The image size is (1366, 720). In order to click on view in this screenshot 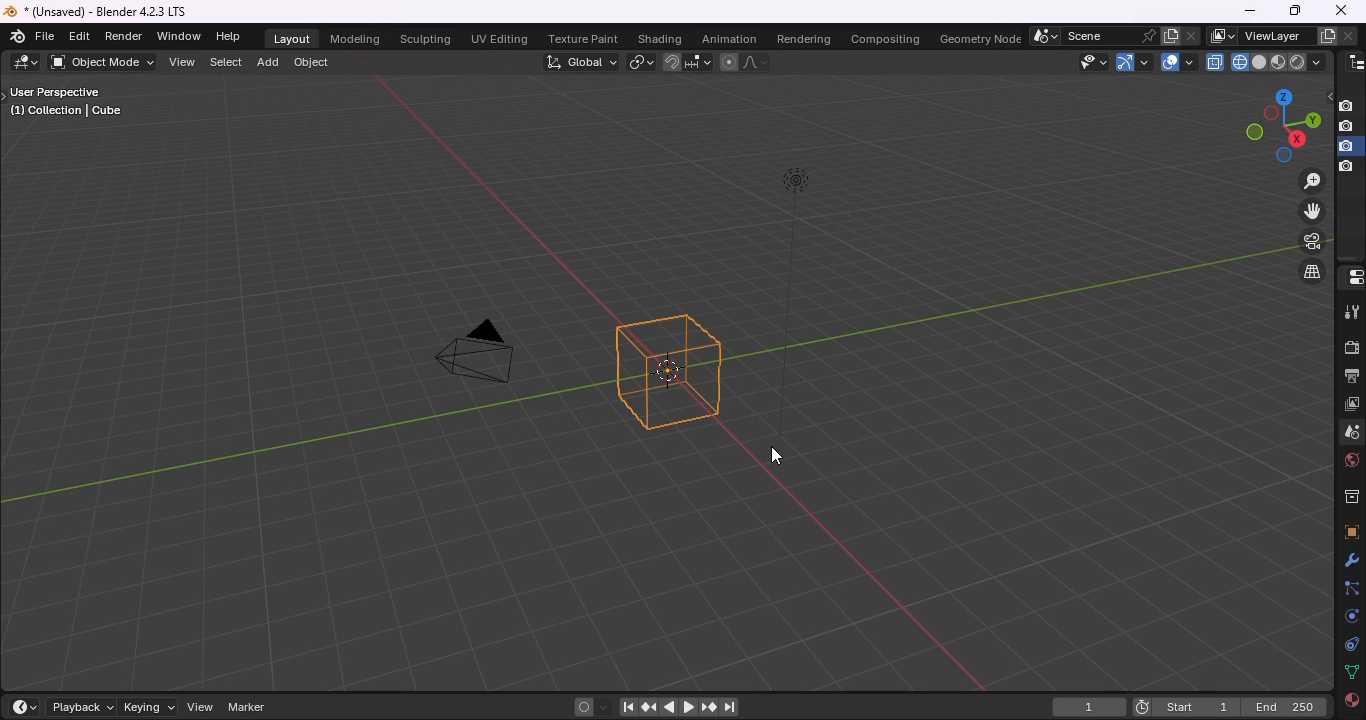, I will do `click(182, 62)`.